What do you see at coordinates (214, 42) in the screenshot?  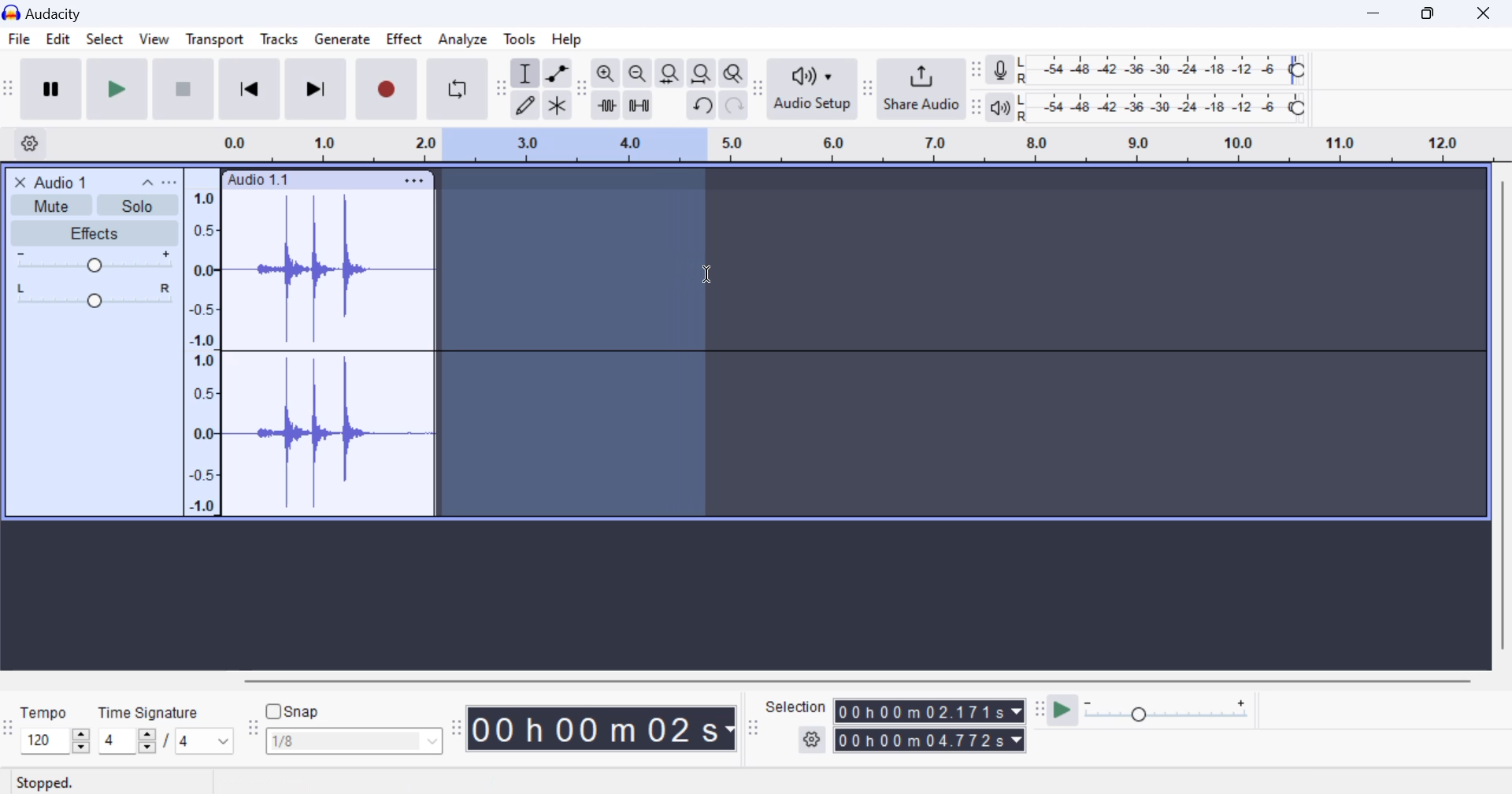 I see `Transport` at bounding box center [214, 42].